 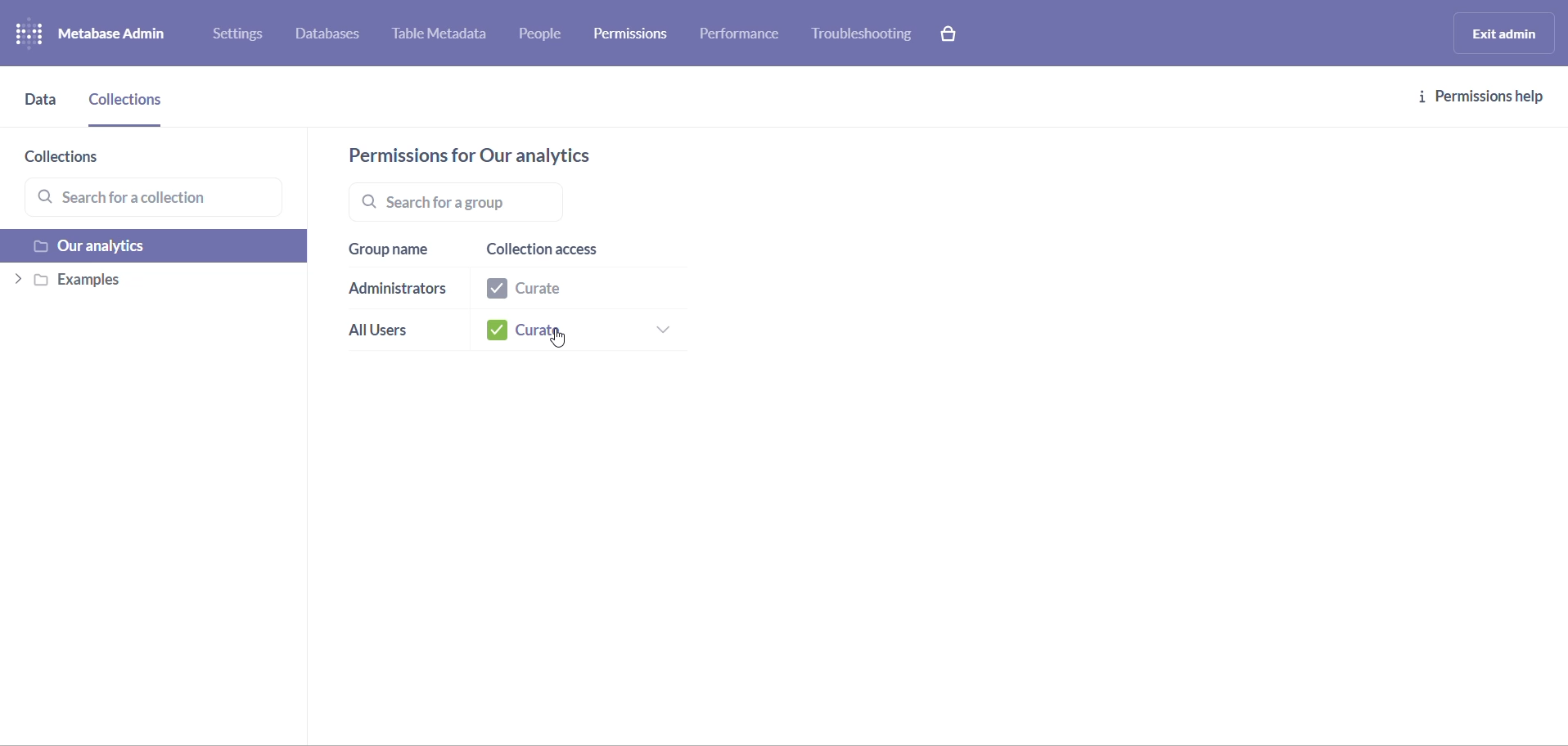 I want to click on performance, so click(x=742, y=38).